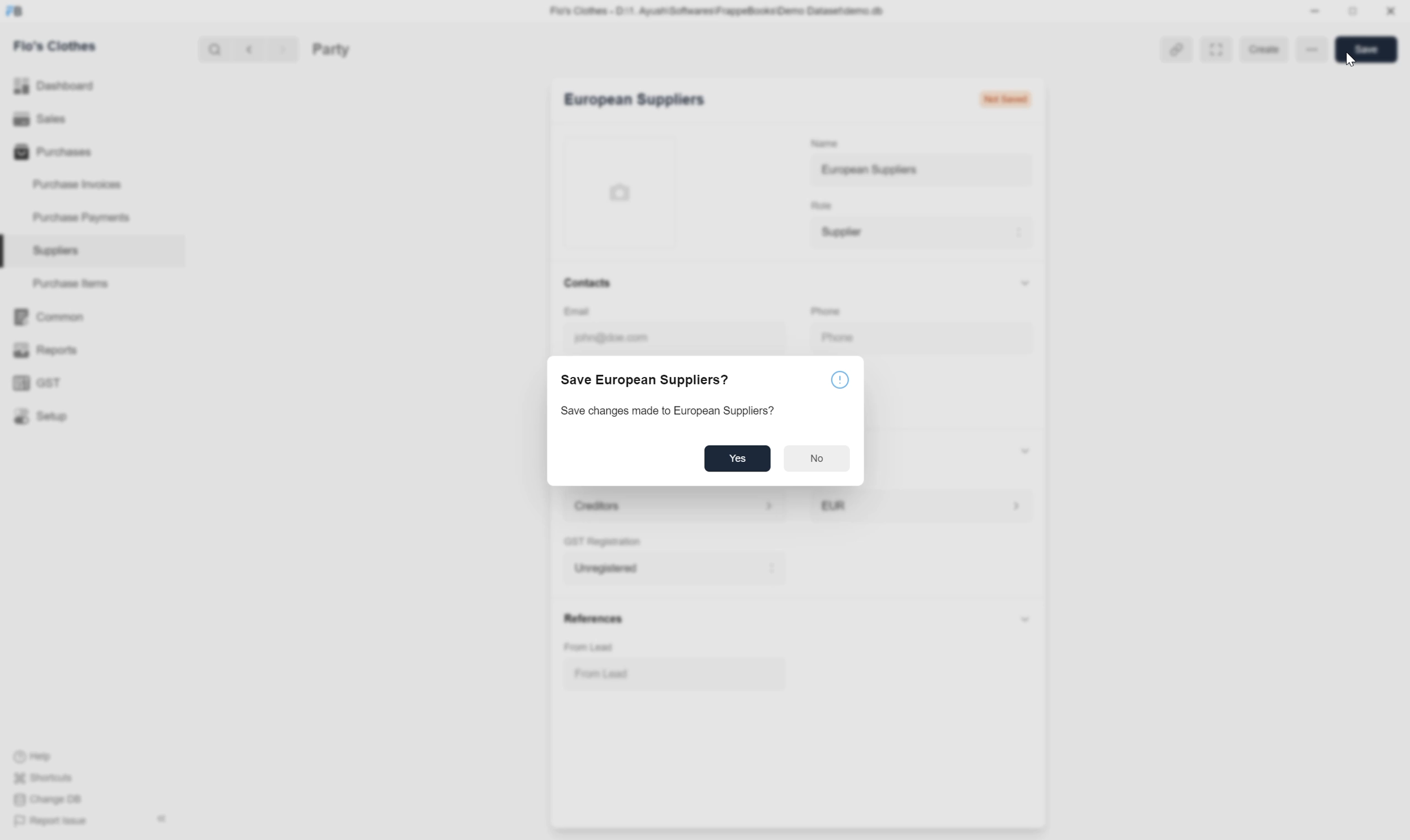  Describe the element at coordinates (838, 232) in the screenshot. I see `Supplier` at that location.